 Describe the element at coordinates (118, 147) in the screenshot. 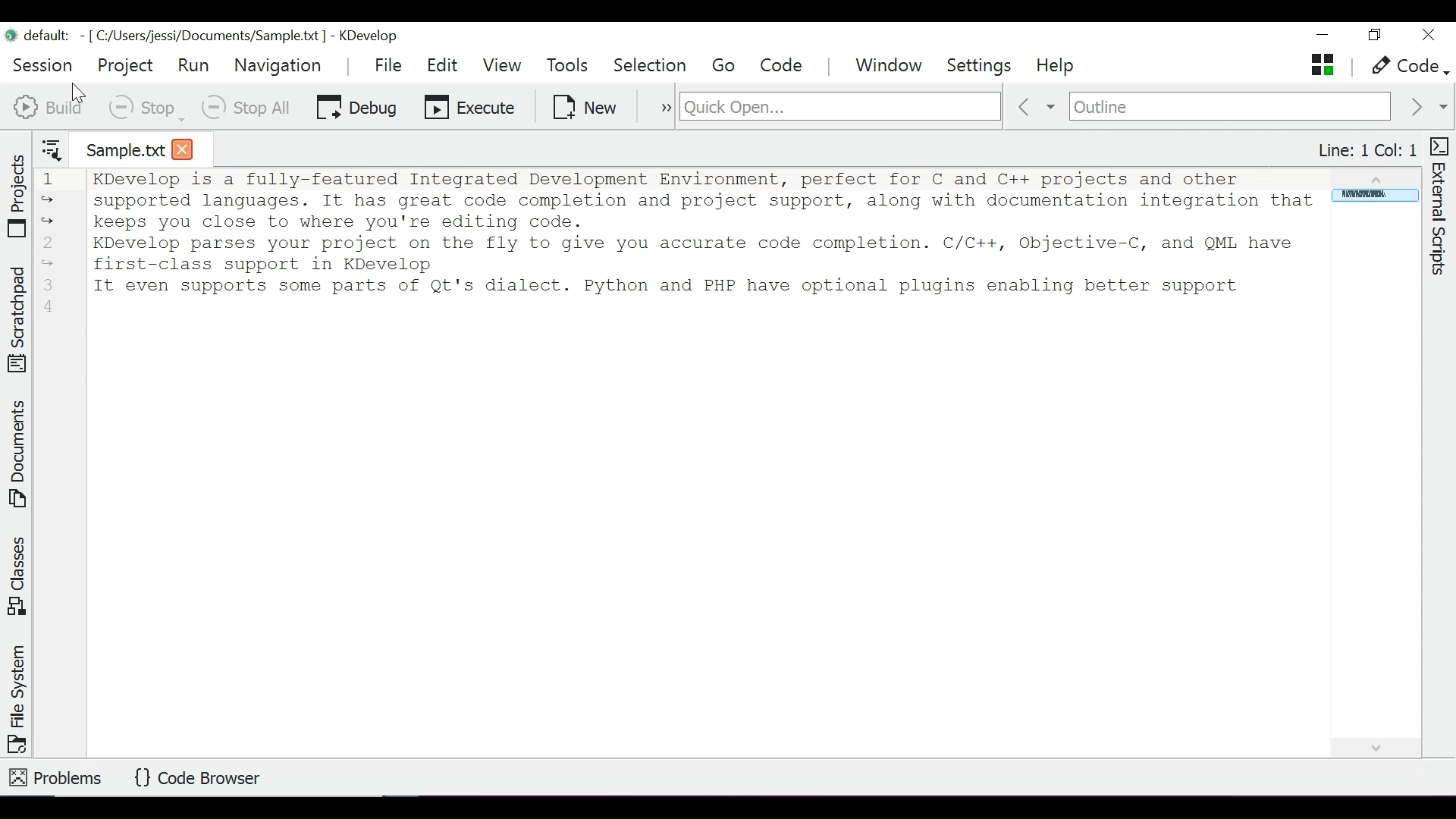

I see `Current tab - sample.txt` at that location.